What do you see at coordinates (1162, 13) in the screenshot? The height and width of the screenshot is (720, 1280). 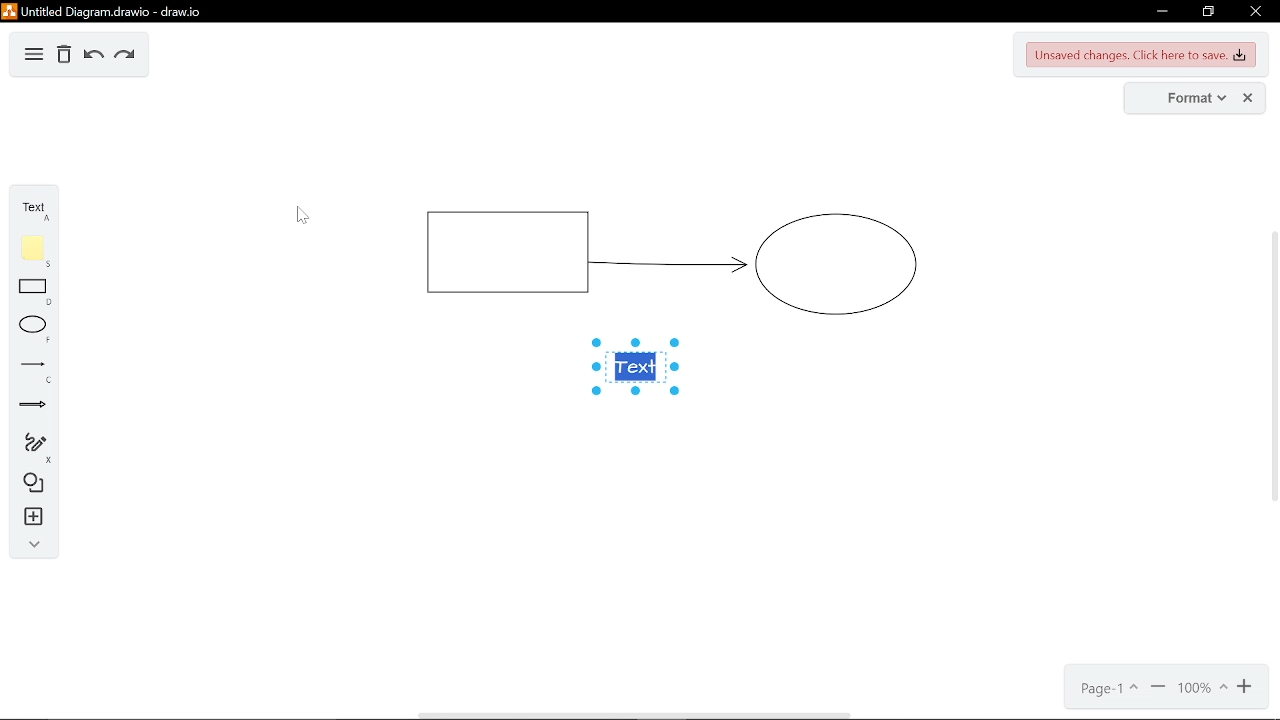 I see `minimize` at bounding box center [1162, 13].